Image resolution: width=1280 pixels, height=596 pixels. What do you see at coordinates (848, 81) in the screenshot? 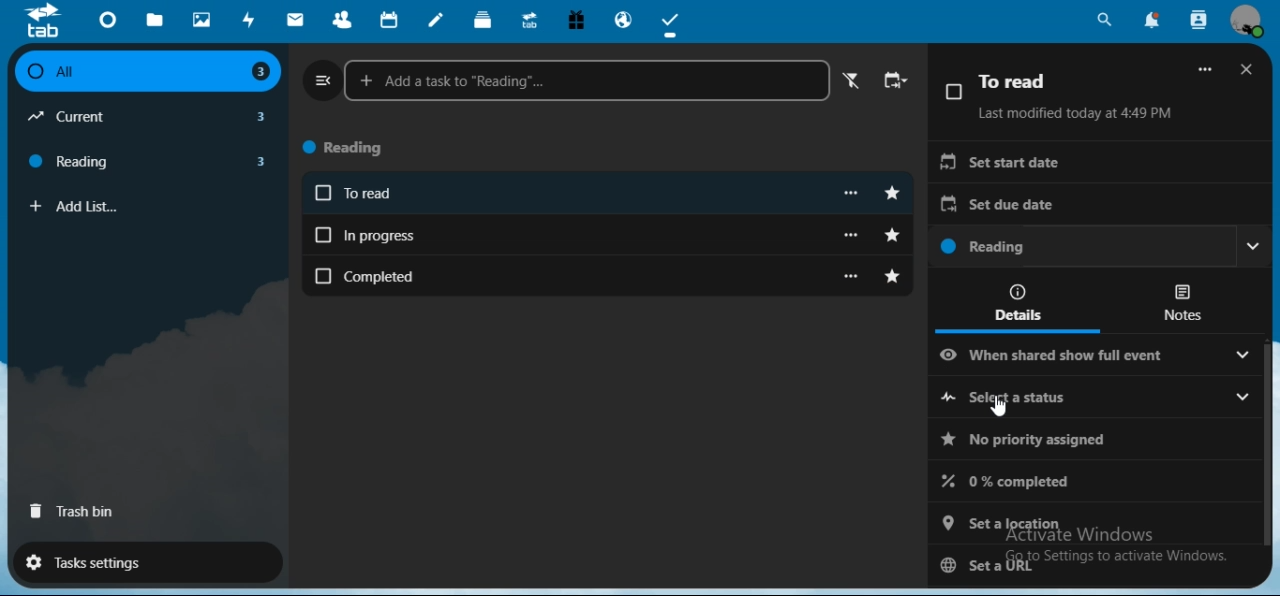
I see `active filter` at bounding box center [848, 81].